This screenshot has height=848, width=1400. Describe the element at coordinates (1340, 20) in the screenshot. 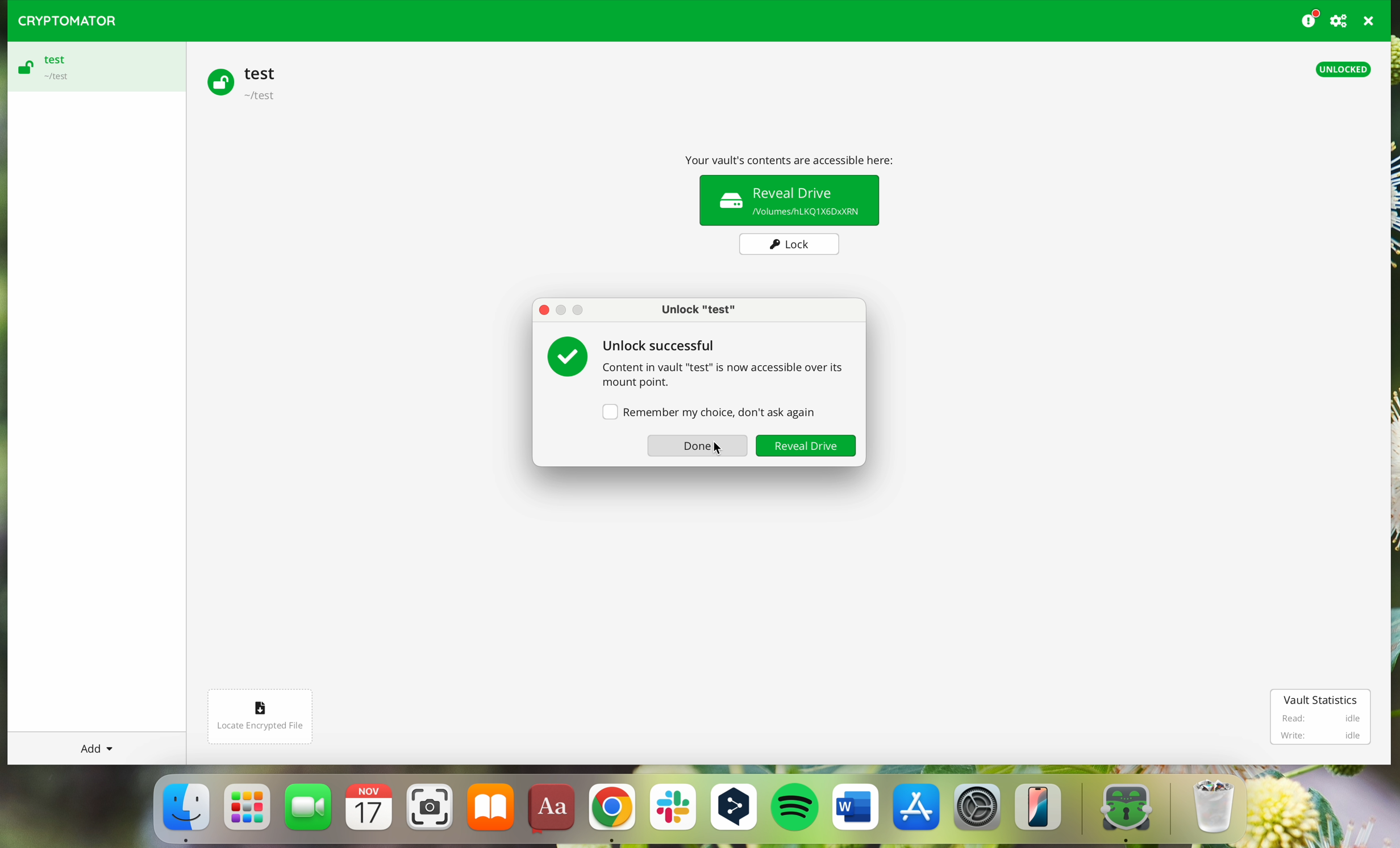

I see `preferences` at that location.